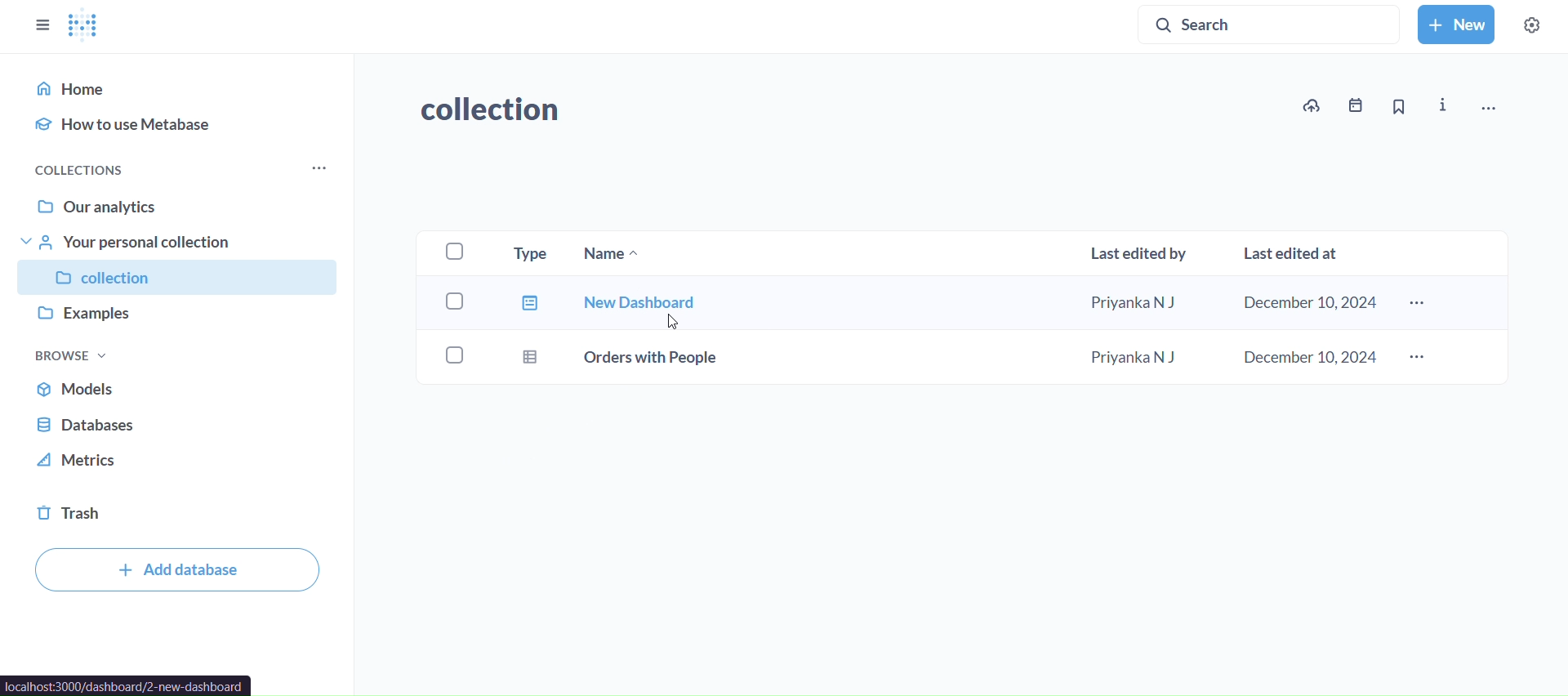 The image size is (1568, 696). What do you see at coordinates (1137, 303) in the screenshot?
I see `priyanka n j` at bounding box center [1137, 303].